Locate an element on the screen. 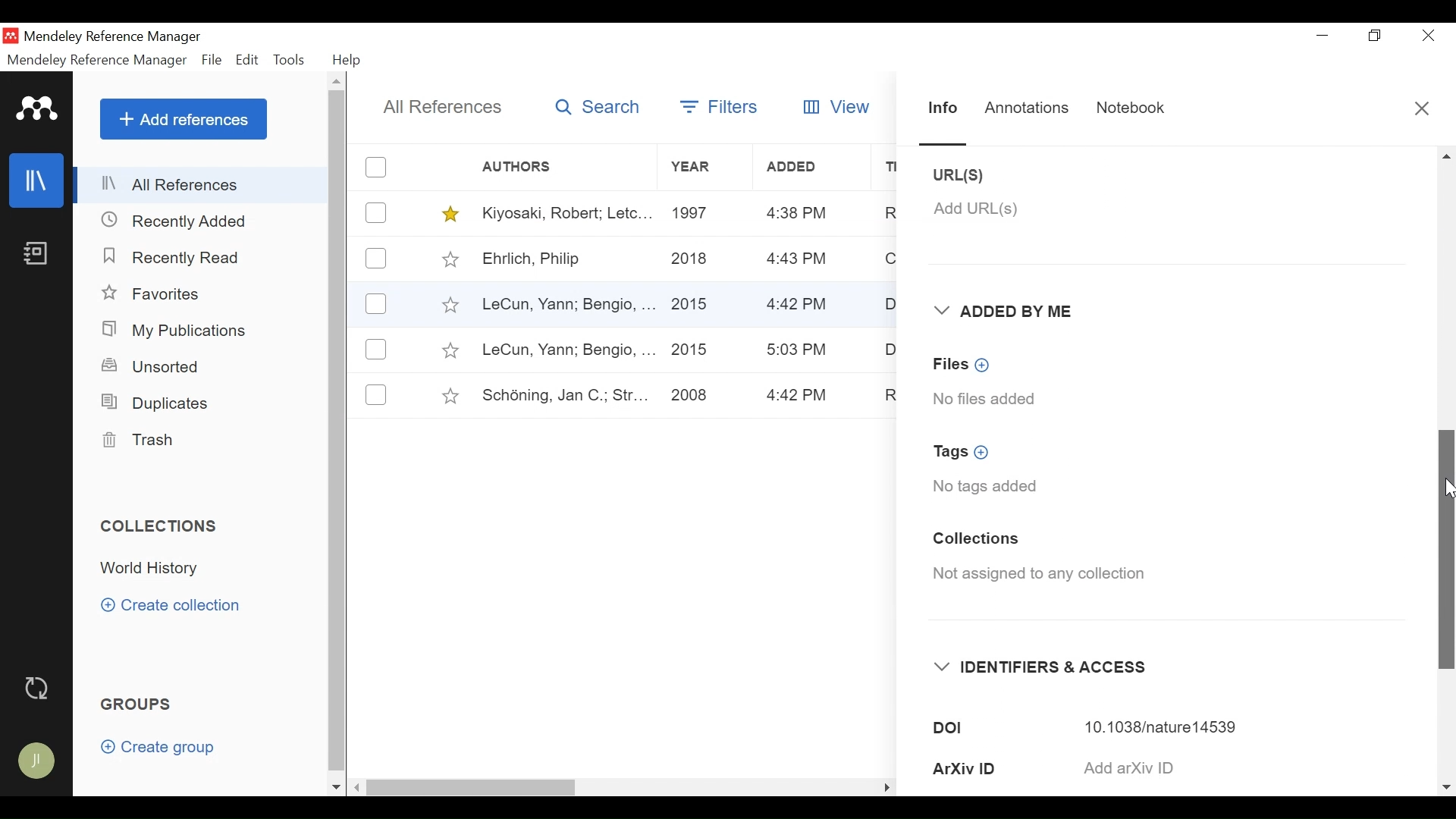 The image size is (1456, 819). Annotations is located at coordinates (1027, 105).